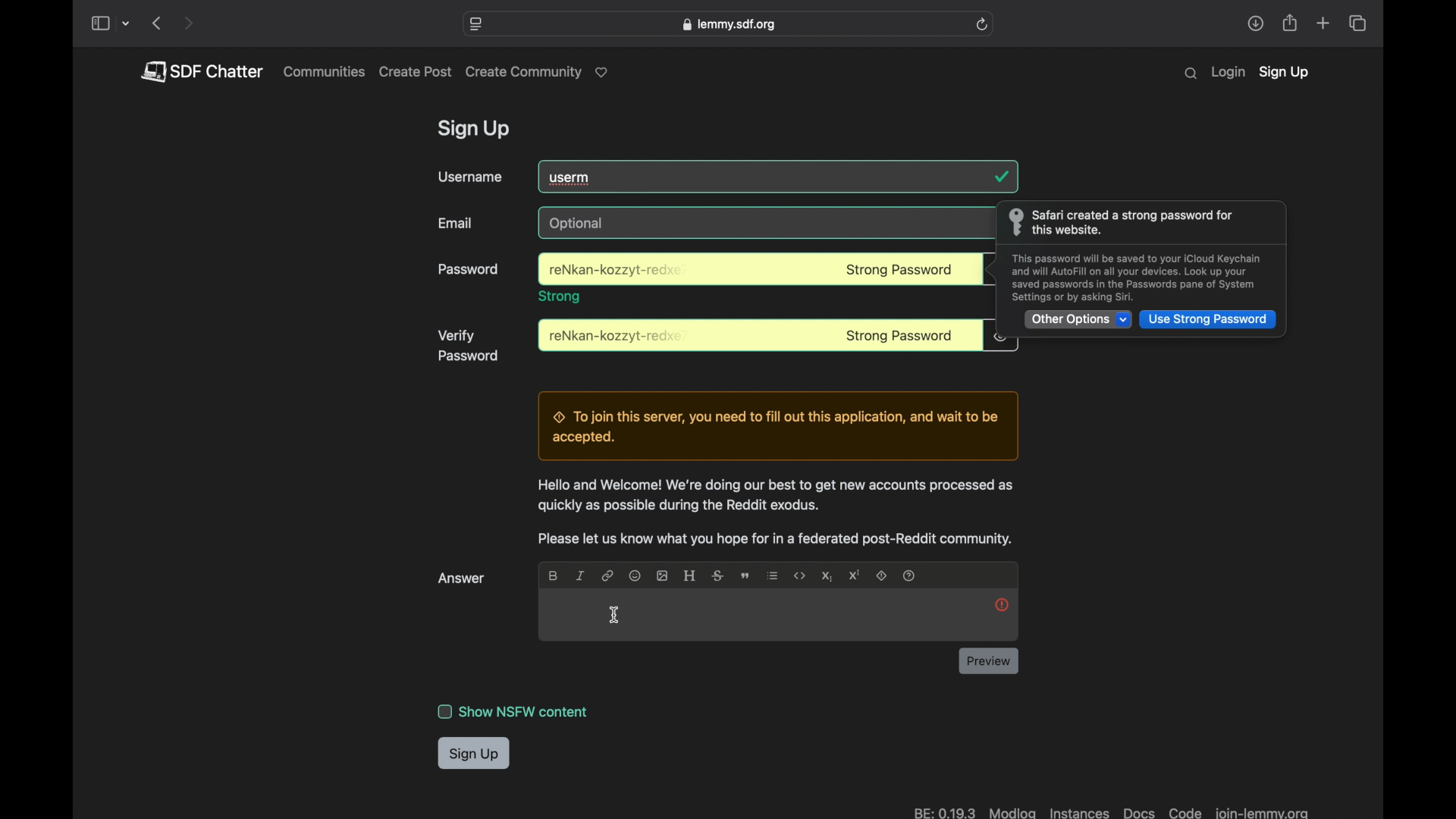 This screenshot has width=1456, height=819. I want to click on code, so click(800, 576).